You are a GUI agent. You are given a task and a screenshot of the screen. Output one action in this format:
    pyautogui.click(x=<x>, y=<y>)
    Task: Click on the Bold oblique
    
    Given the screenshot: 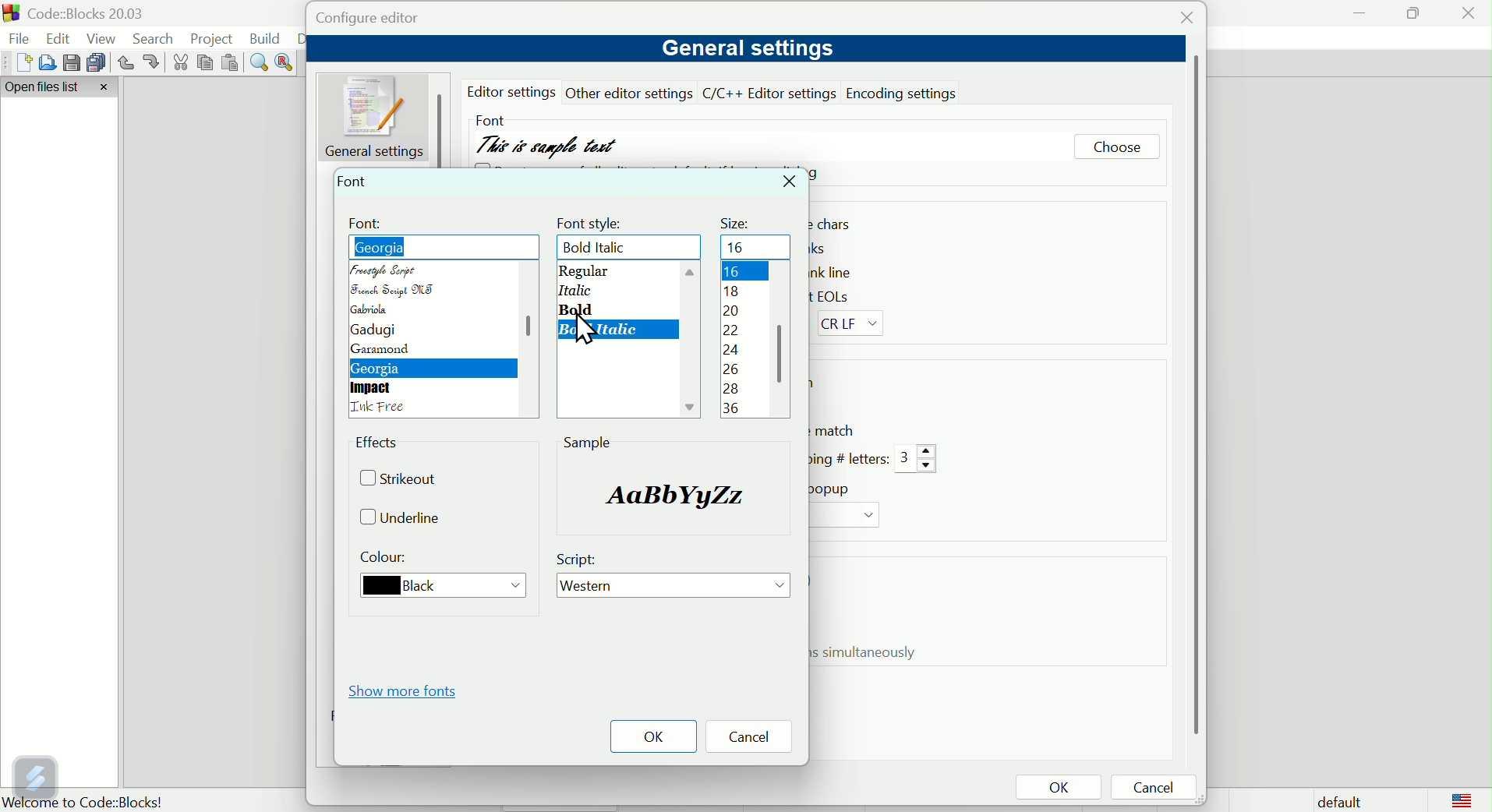 What is the action you would take?
    pyautogui.click(x=603, y=248)
    